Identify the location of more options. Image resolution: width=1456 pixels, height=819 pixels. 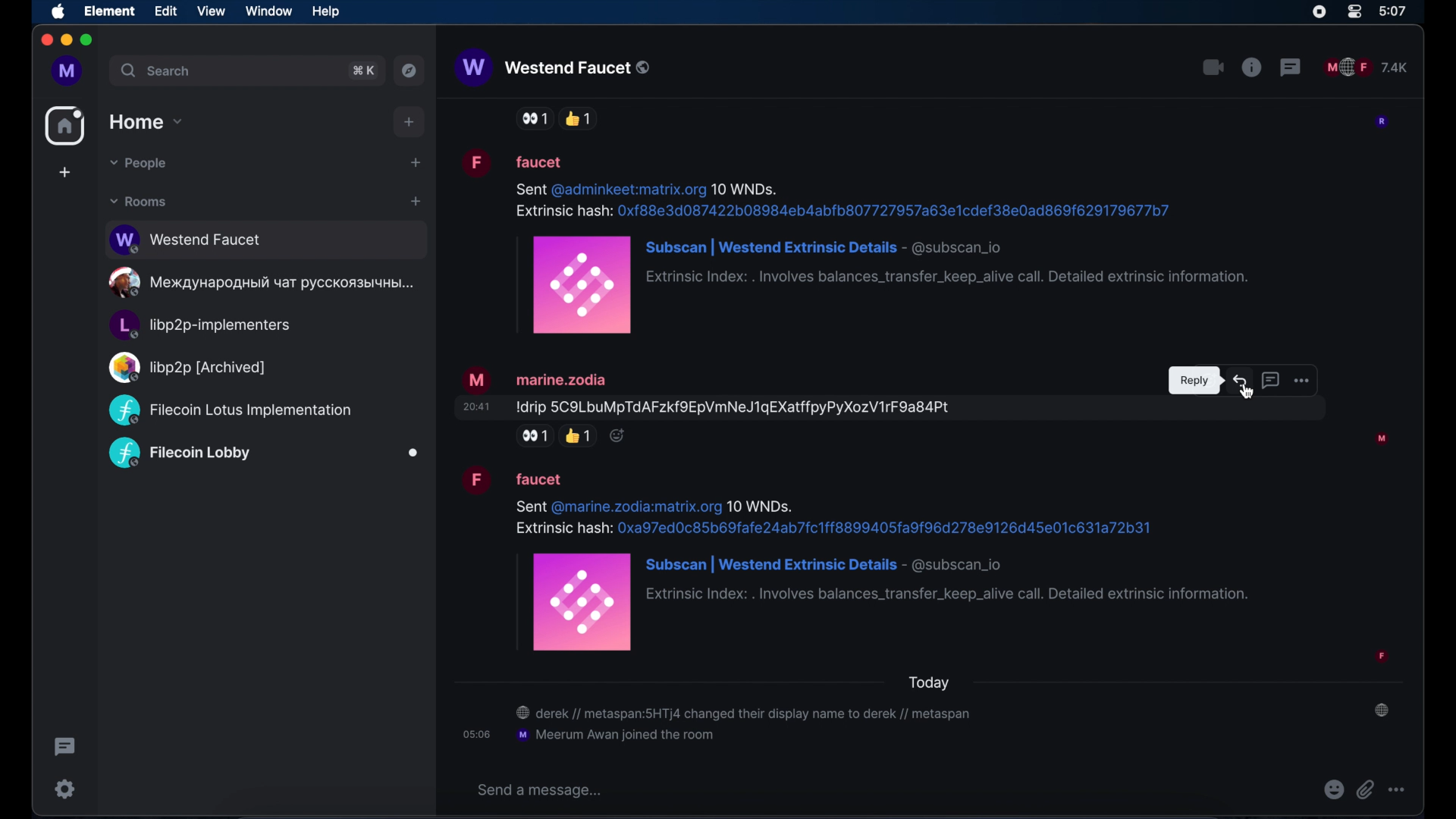
(1302, 380).